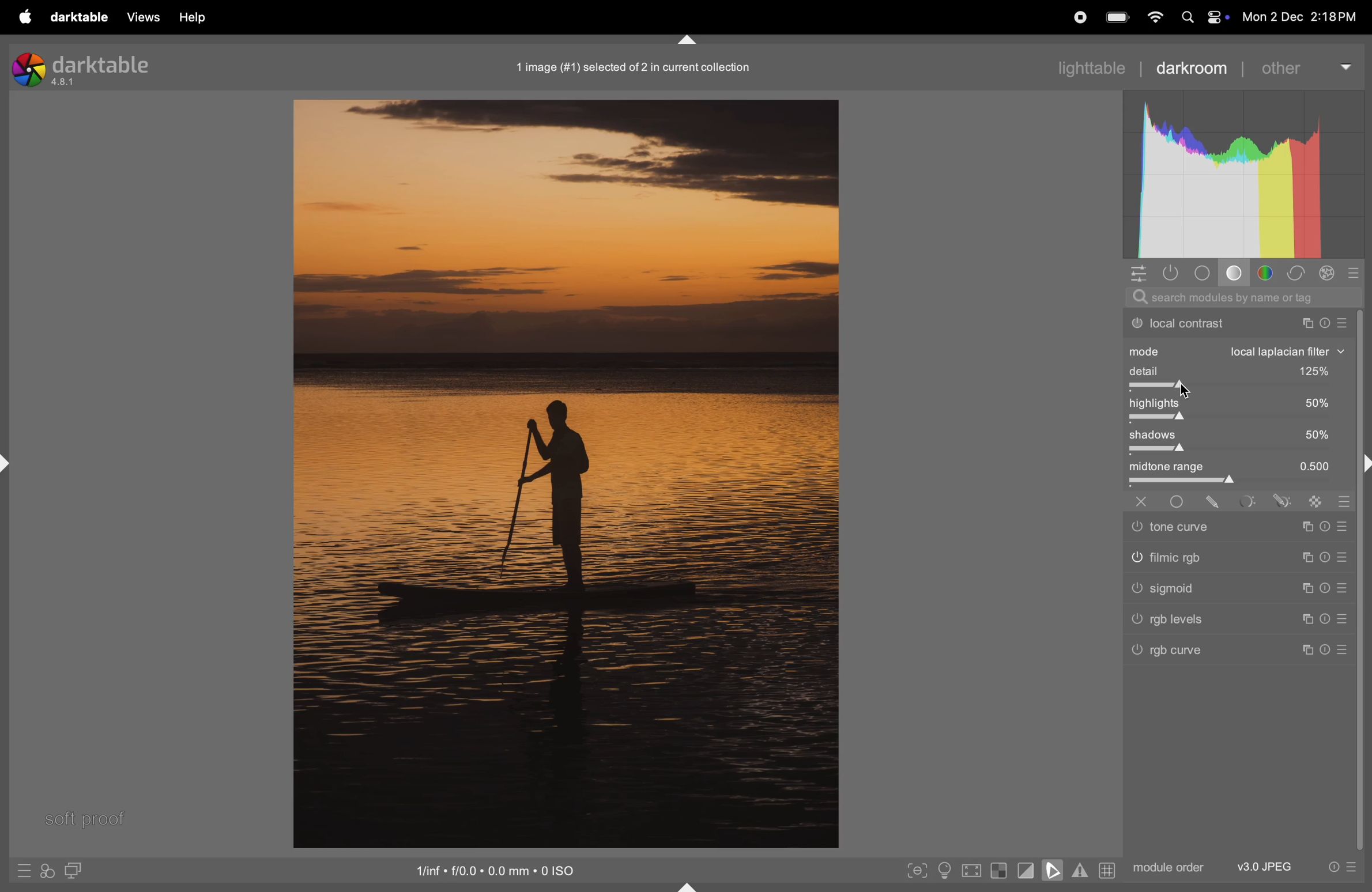 The width and height of the screenshot is (1372, 892). I want to click on midtone range, so click(1239, 467).